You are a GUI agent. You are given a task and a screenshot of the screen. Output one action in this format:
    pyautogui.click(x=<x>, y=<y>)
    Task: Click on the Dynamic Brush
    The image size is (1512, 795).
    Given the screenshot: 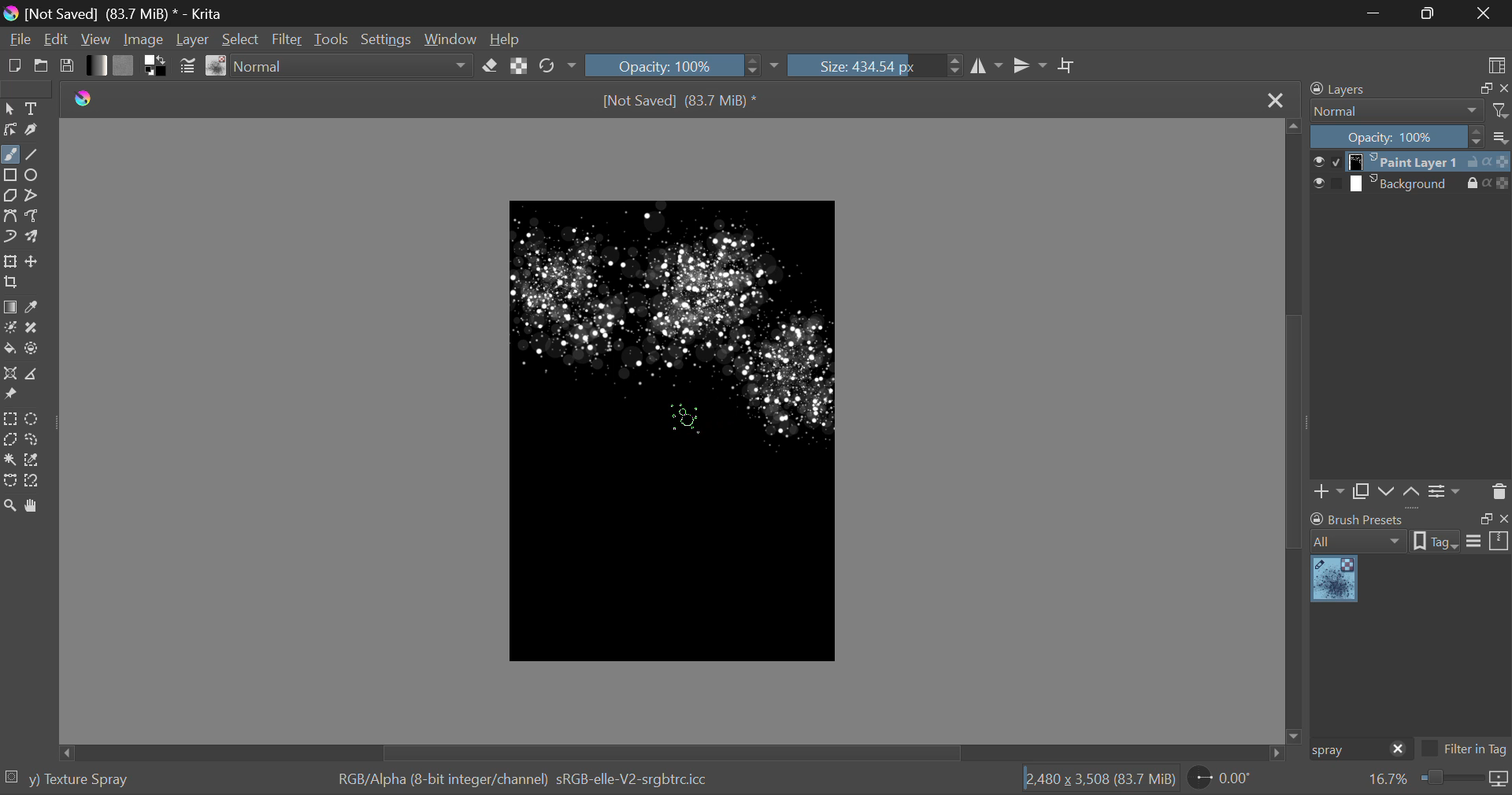 What is the action you would take?
    pyautogui.click(x=9, y=235)
    